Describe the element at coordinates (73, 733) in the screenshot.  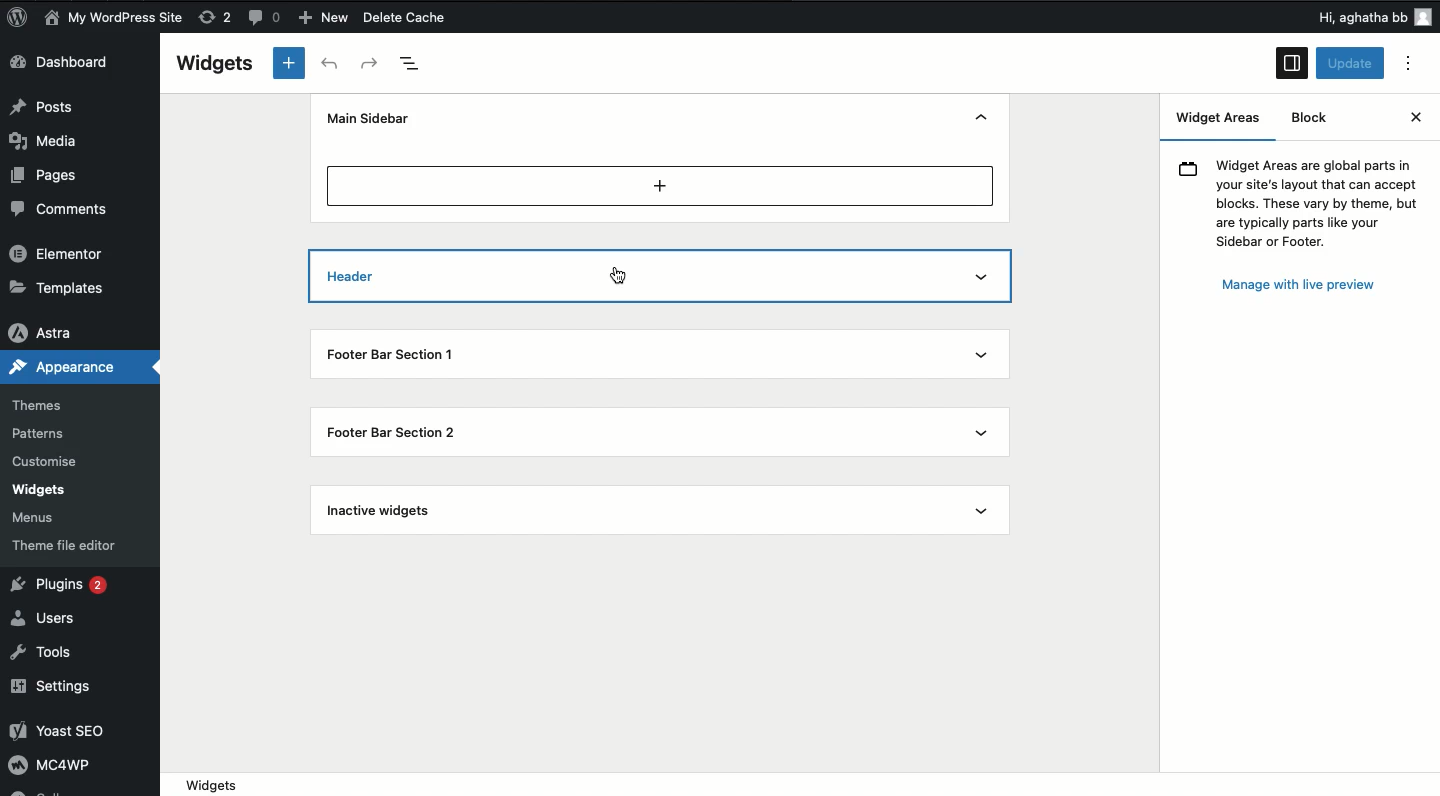
I see `Yoast SEO` at that location.